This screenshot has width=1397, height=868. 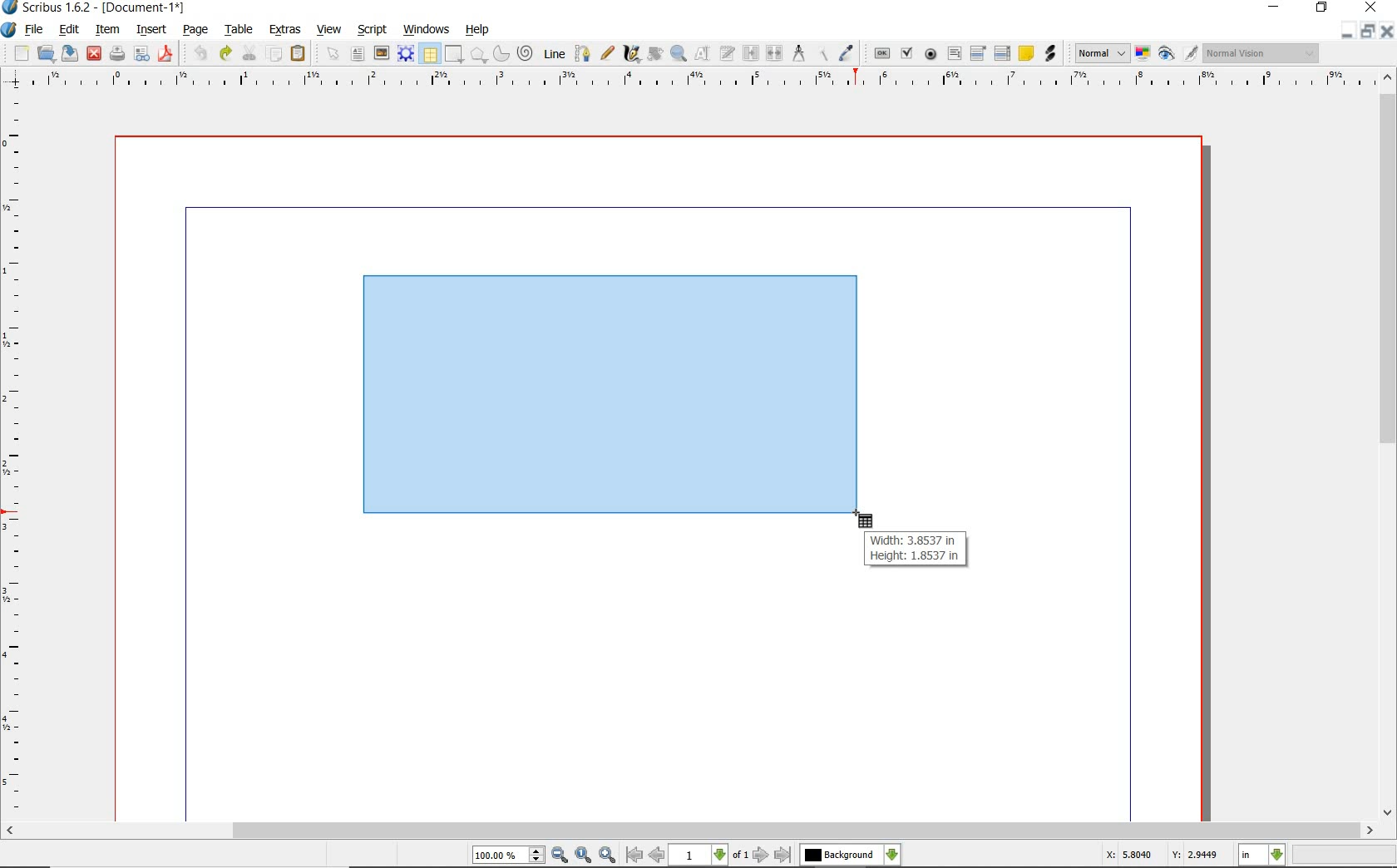 What do you see at coordinates (508, 856) in the screenshot?
I see `select current zoom level` at bounding box center [508, 856].